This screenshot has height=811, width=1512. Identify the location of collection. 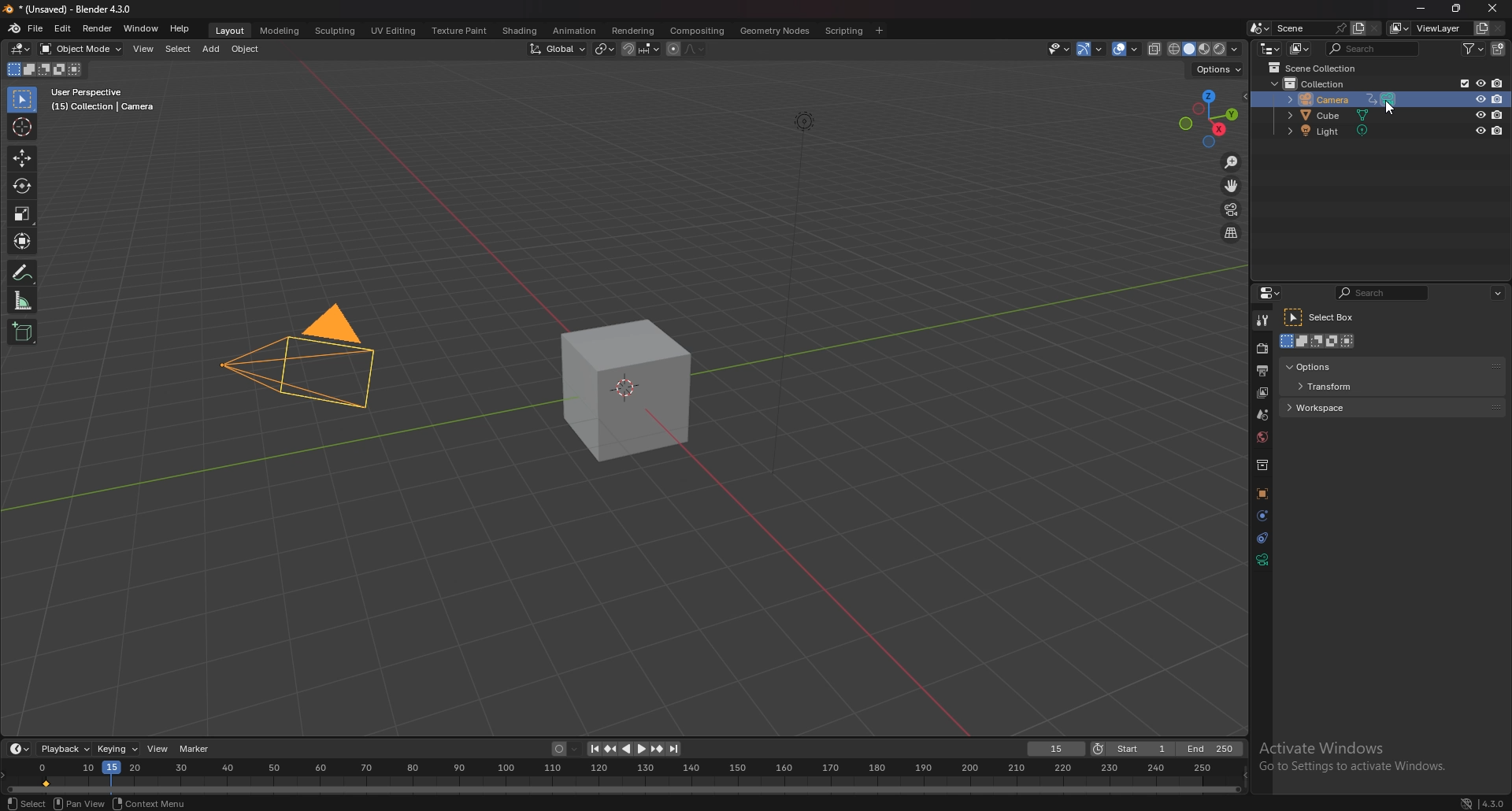
(1315, 83).